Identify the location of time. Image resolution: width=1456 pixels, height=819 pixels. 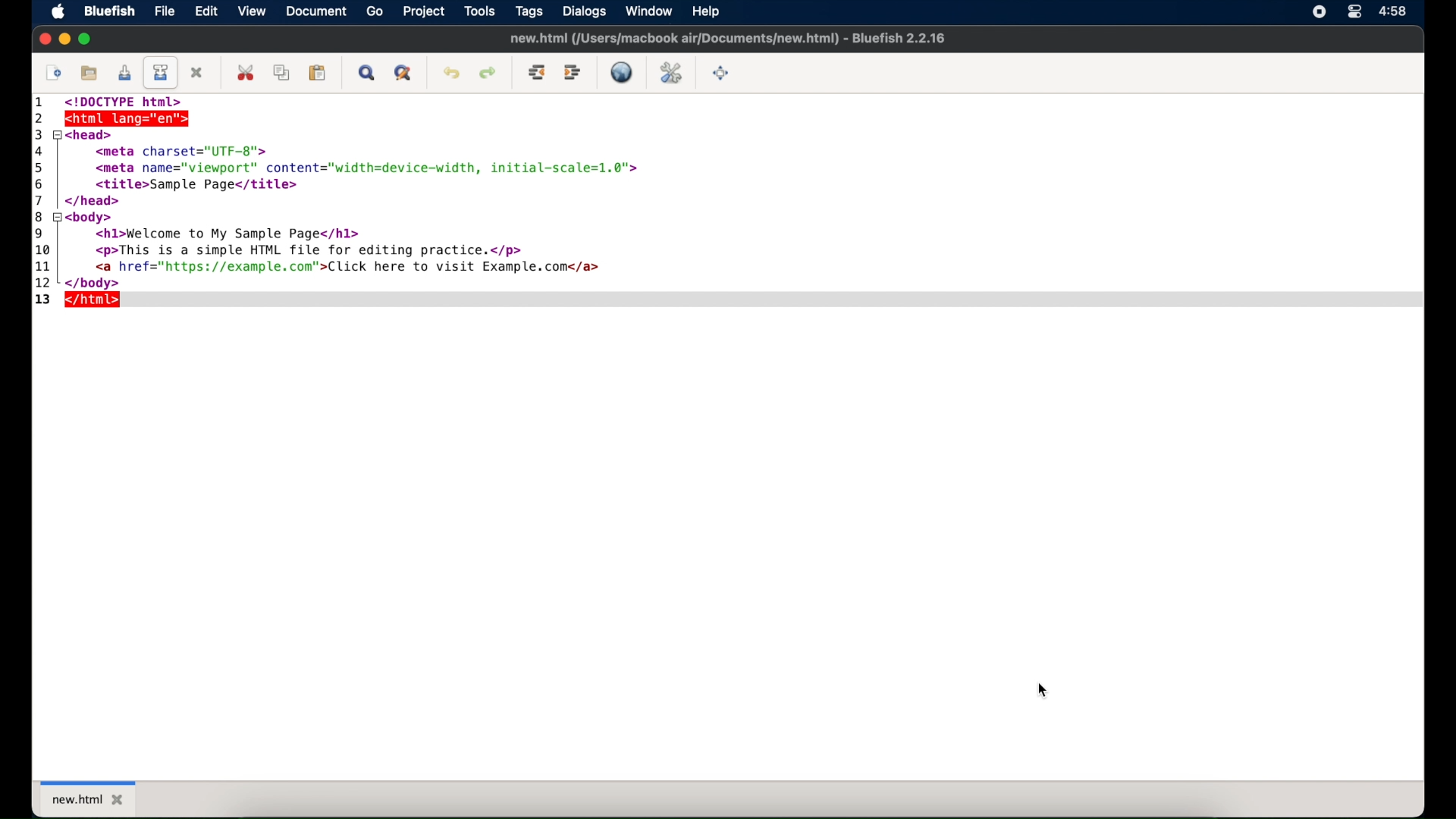
(1394, 11).